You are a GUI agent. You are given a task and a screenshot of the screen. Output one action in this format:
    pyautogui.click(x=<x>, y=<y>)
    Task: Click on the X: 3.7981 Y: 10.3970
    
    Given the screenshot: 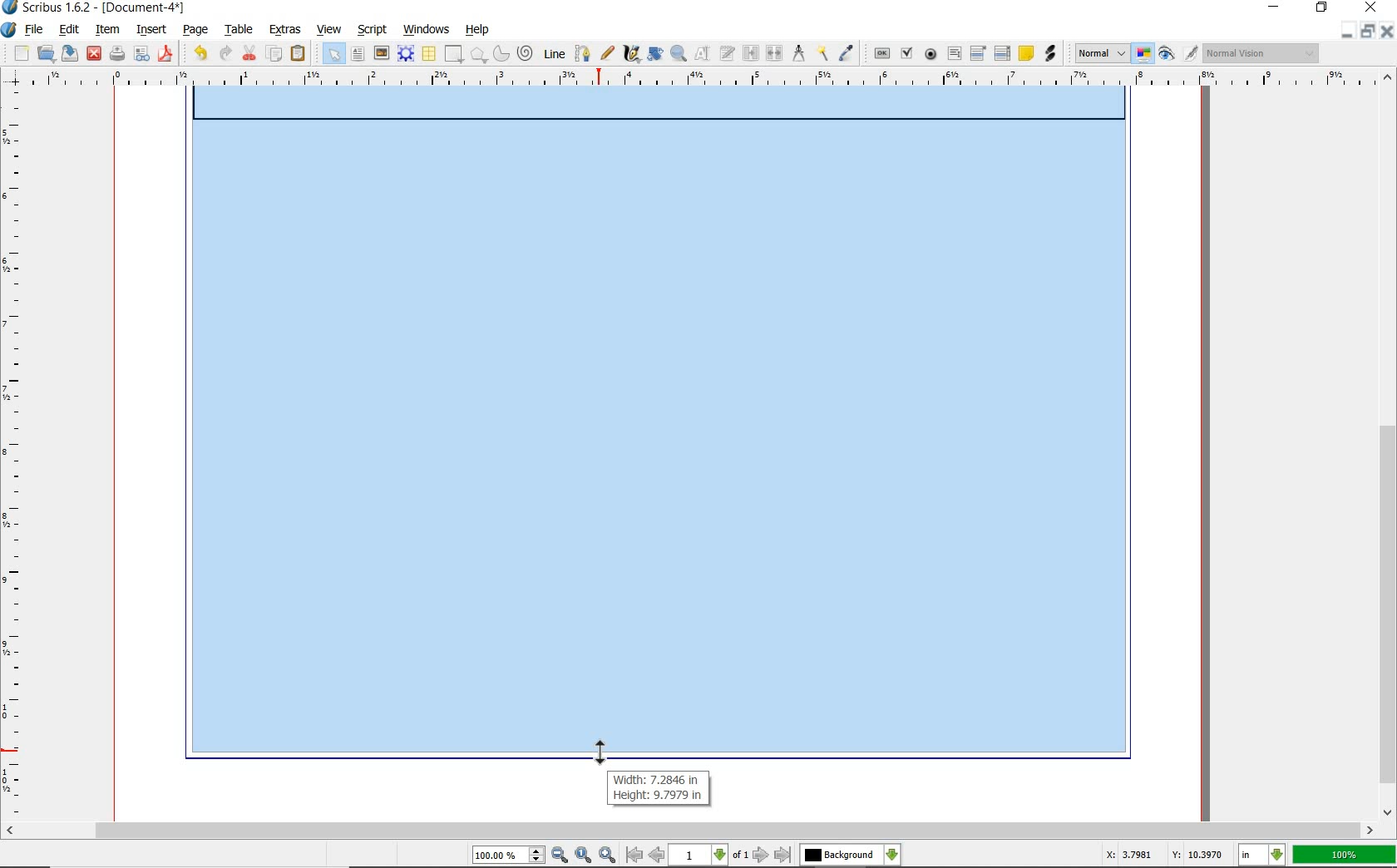 What is the action you would take?
    pyautogui.click(x=1159, y=854)
    